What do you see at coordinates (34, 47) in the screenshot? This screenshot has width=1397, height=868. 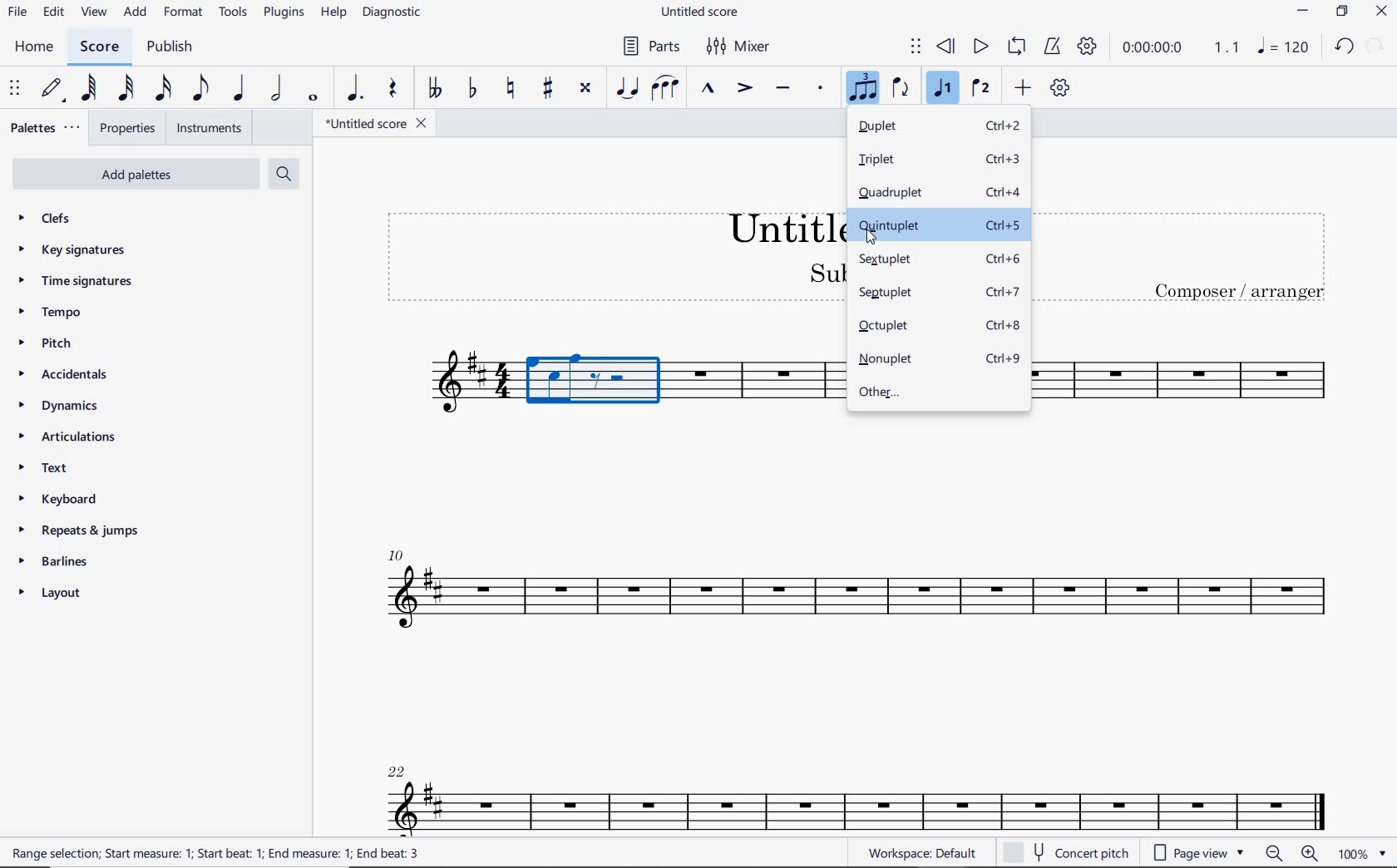 I see `HOME` at bounding box center [34, 47].